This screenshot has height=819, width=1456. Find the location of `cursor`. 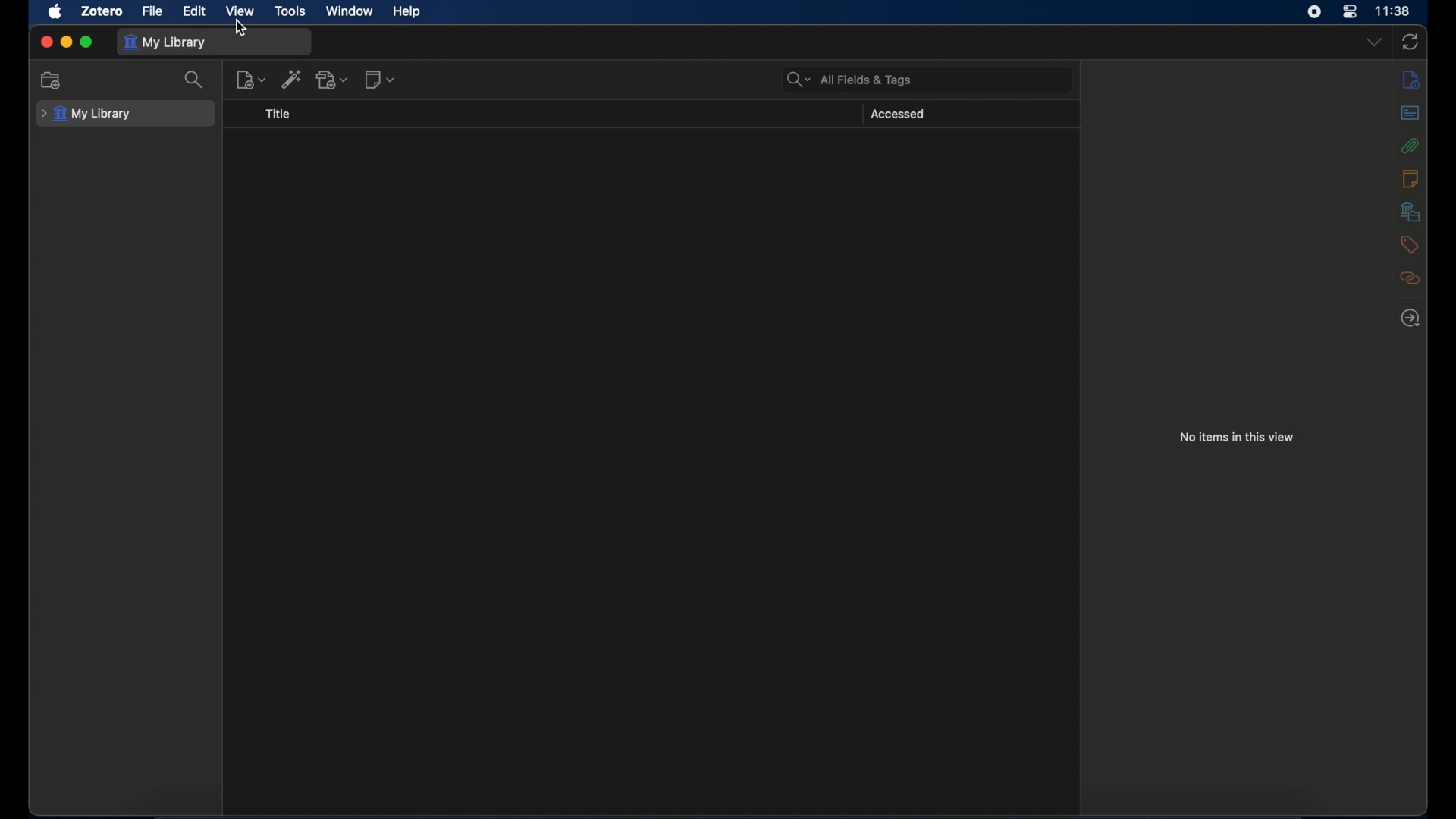

cursor is located at coordinates (243, 30).